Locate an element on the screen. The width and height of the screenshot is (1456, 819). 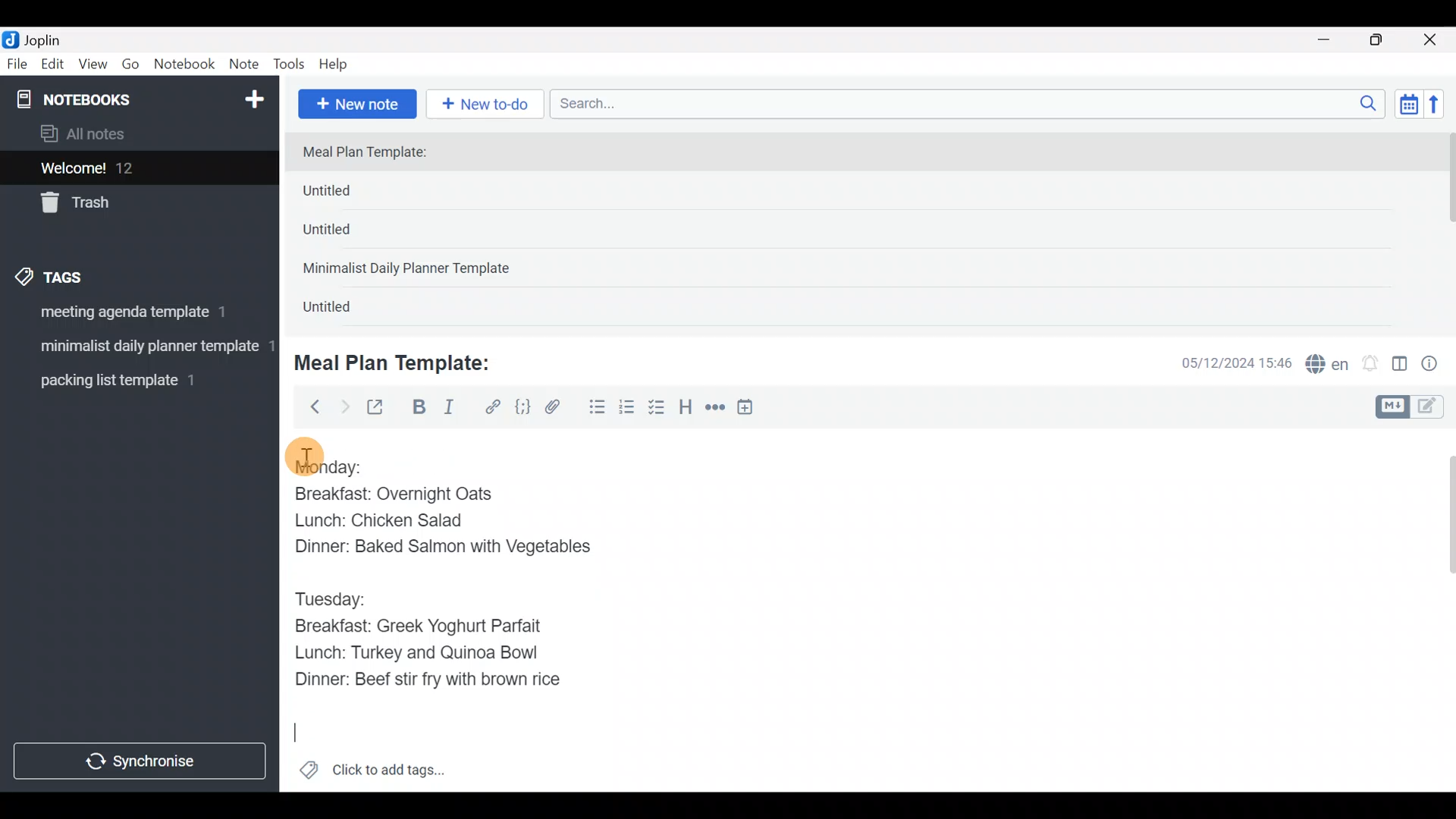
Reverse sort is located at coordinates (1442, 108).